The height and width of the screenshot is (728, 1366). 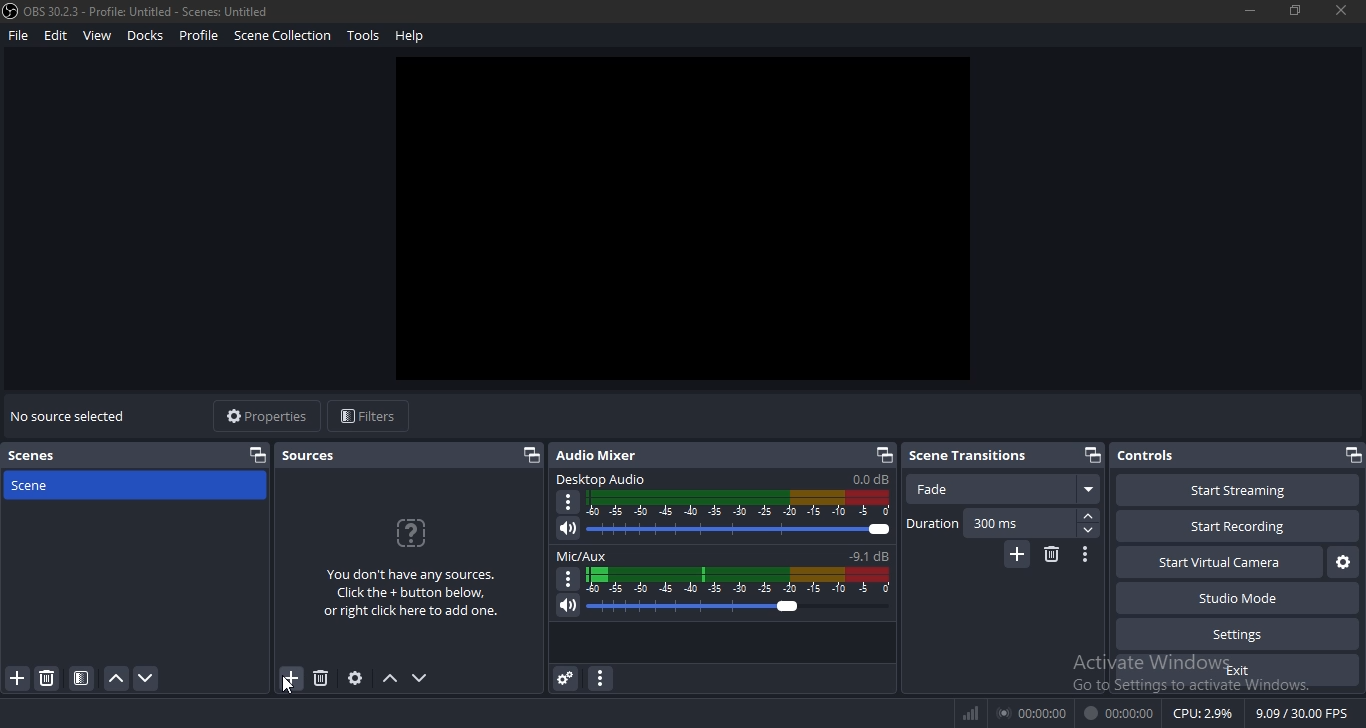 What do you see at coordinates (1088, 555) in the screenshot?
I see `icon` at bounding box center [1088, 555].